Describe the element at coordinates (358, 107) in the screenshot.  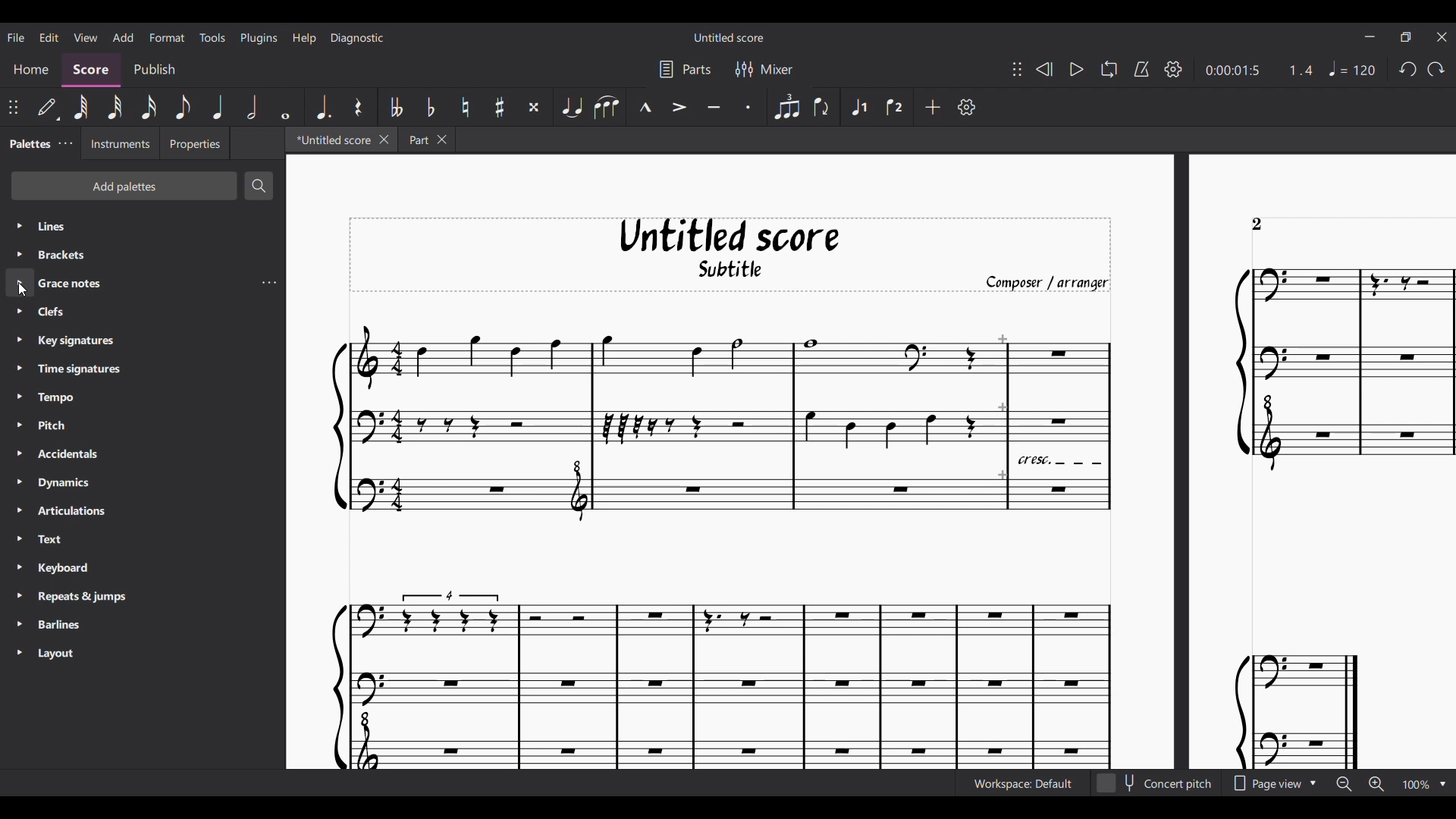
I see `Rest` at that location.